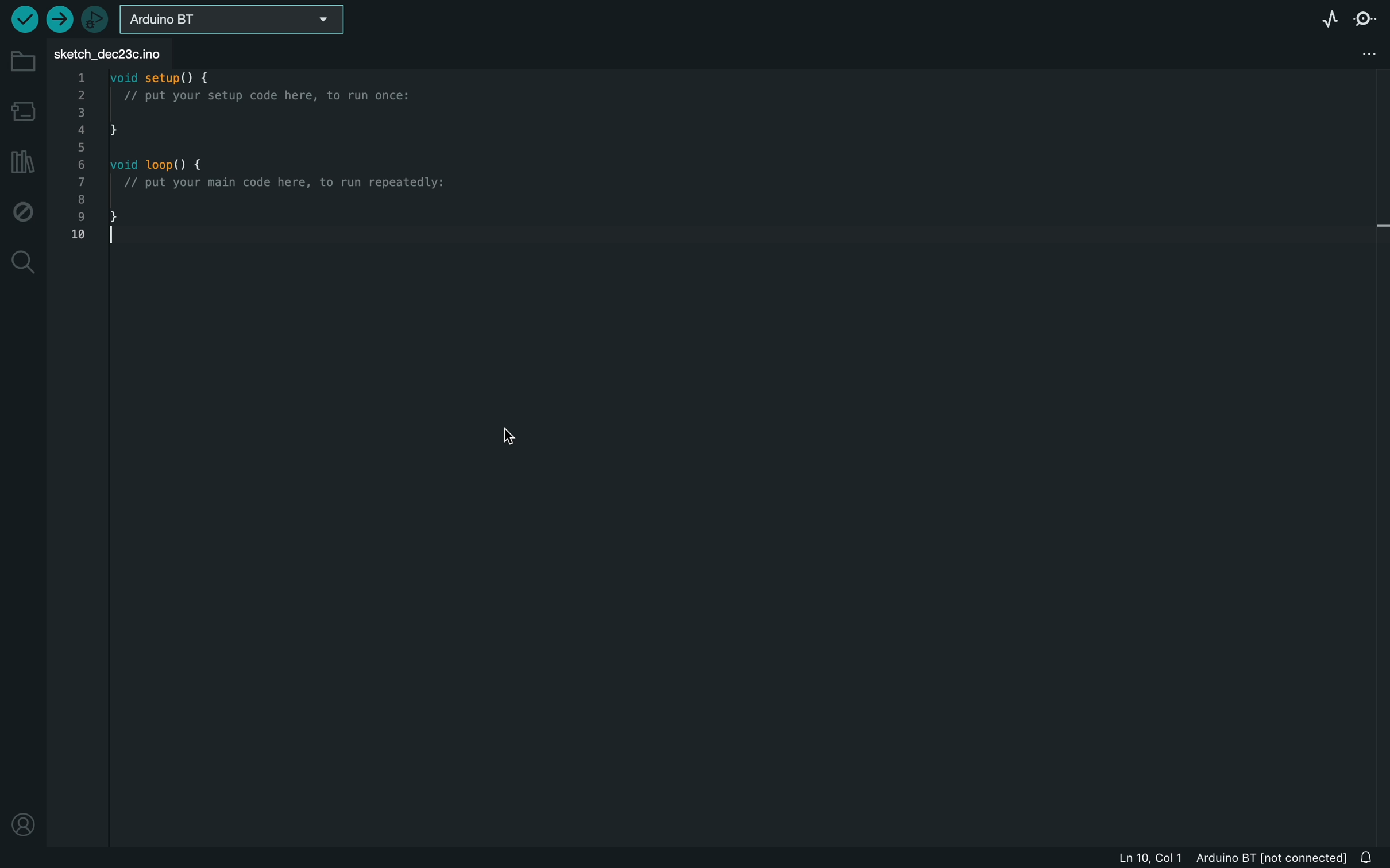 The image size is (1390, 868). I want to click on file information, so click(1230, 857).